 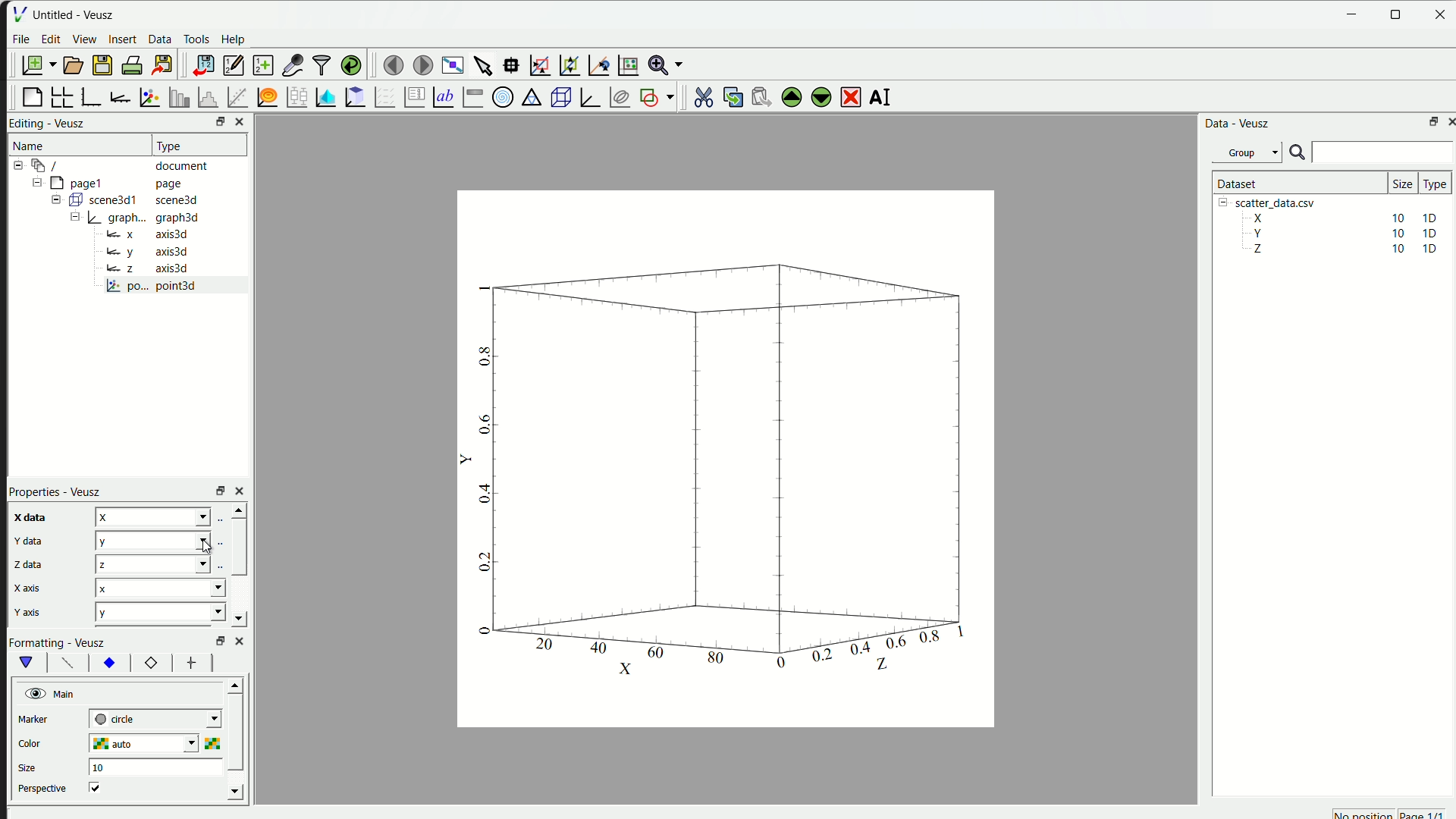 I want to click on , so click(x=218, y=639).